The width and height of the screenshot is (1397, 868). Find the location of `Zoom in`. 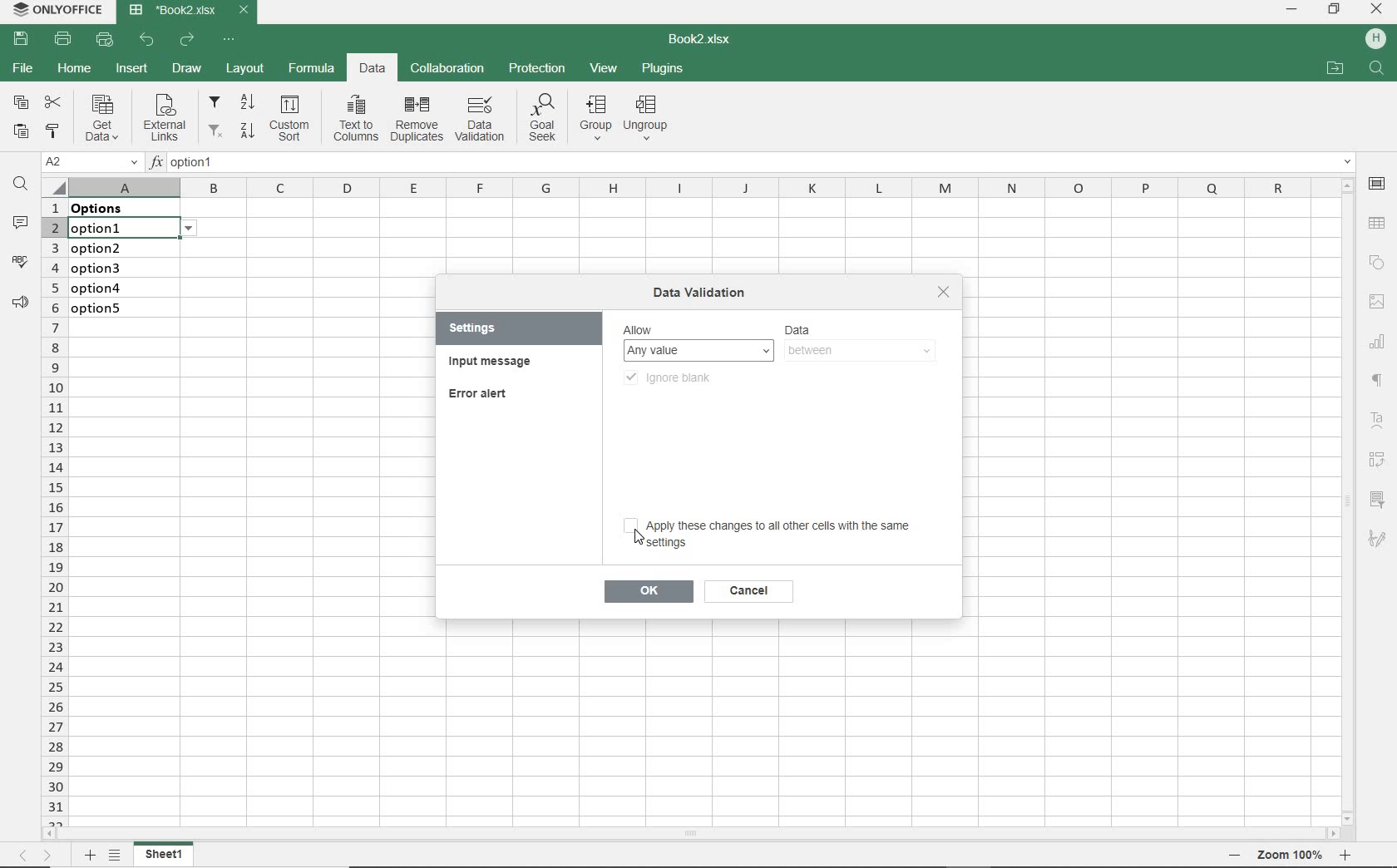

Zoom in is located at coordinates (1348, 857).